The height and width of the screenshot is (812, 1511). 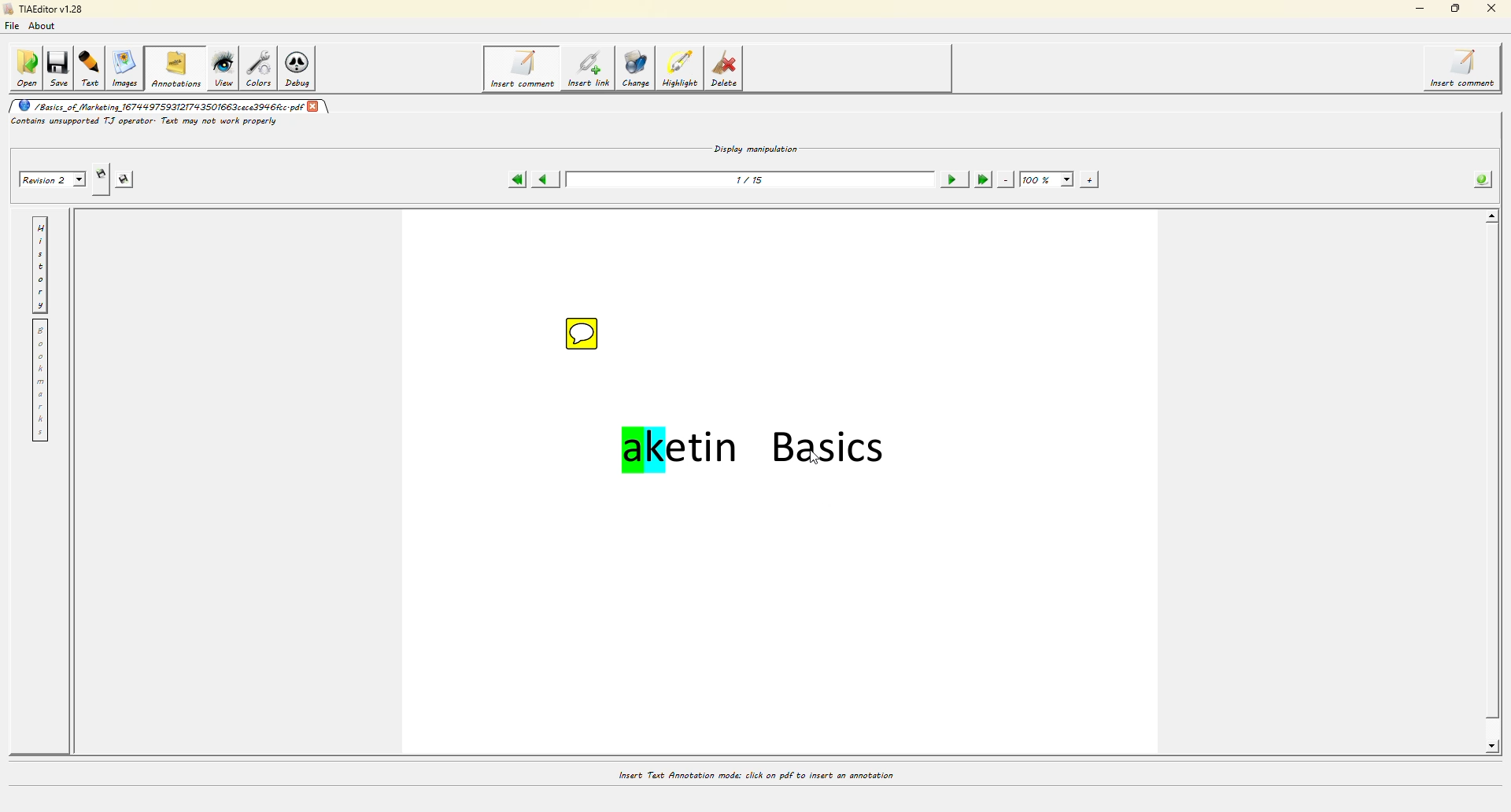 I want to click on aketin Basics, so click(x=753, y=448).